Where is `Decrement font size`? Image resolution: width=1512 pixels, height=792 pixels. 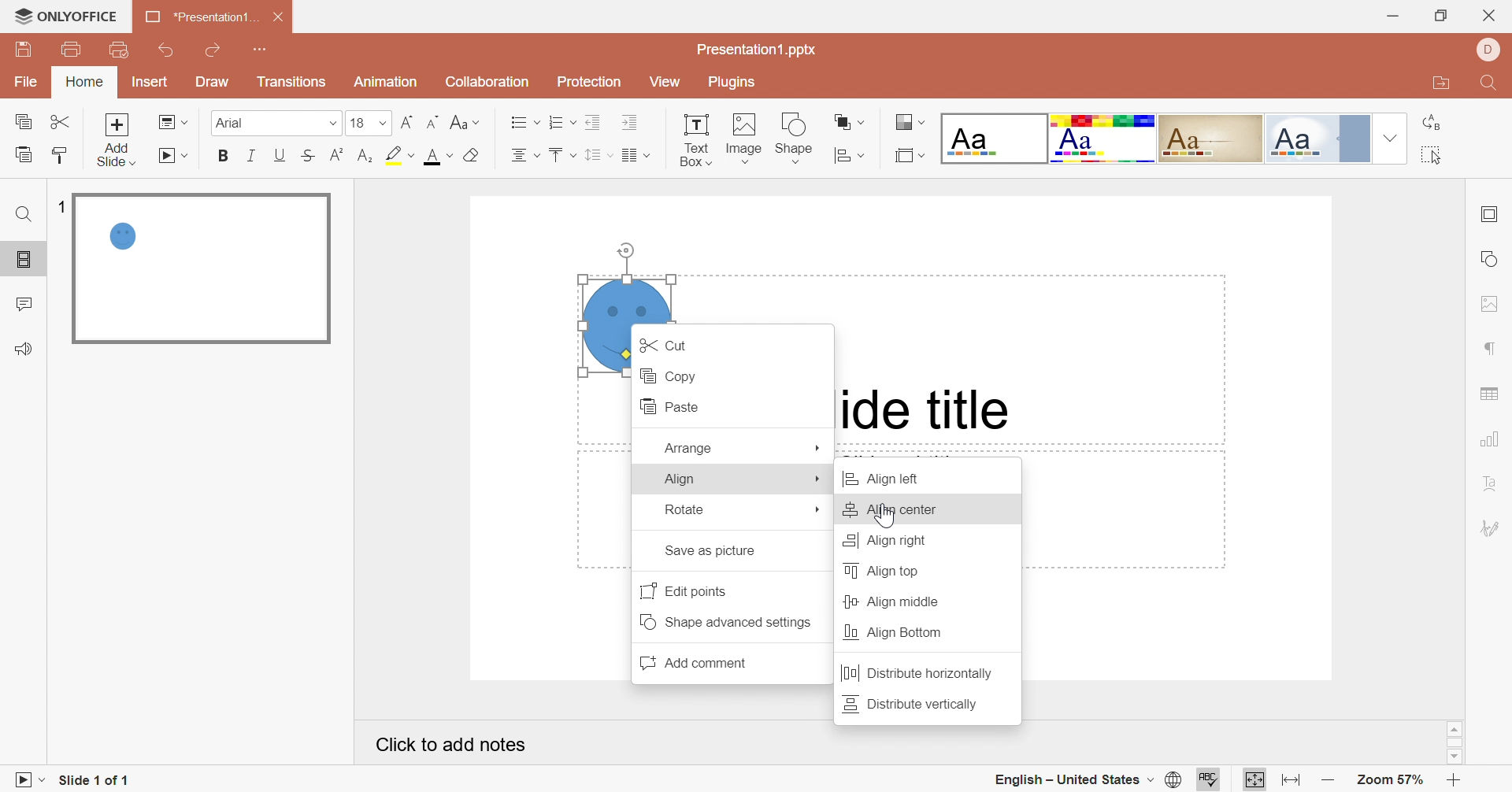 Decrement font size is located at coordinates (431, 118).